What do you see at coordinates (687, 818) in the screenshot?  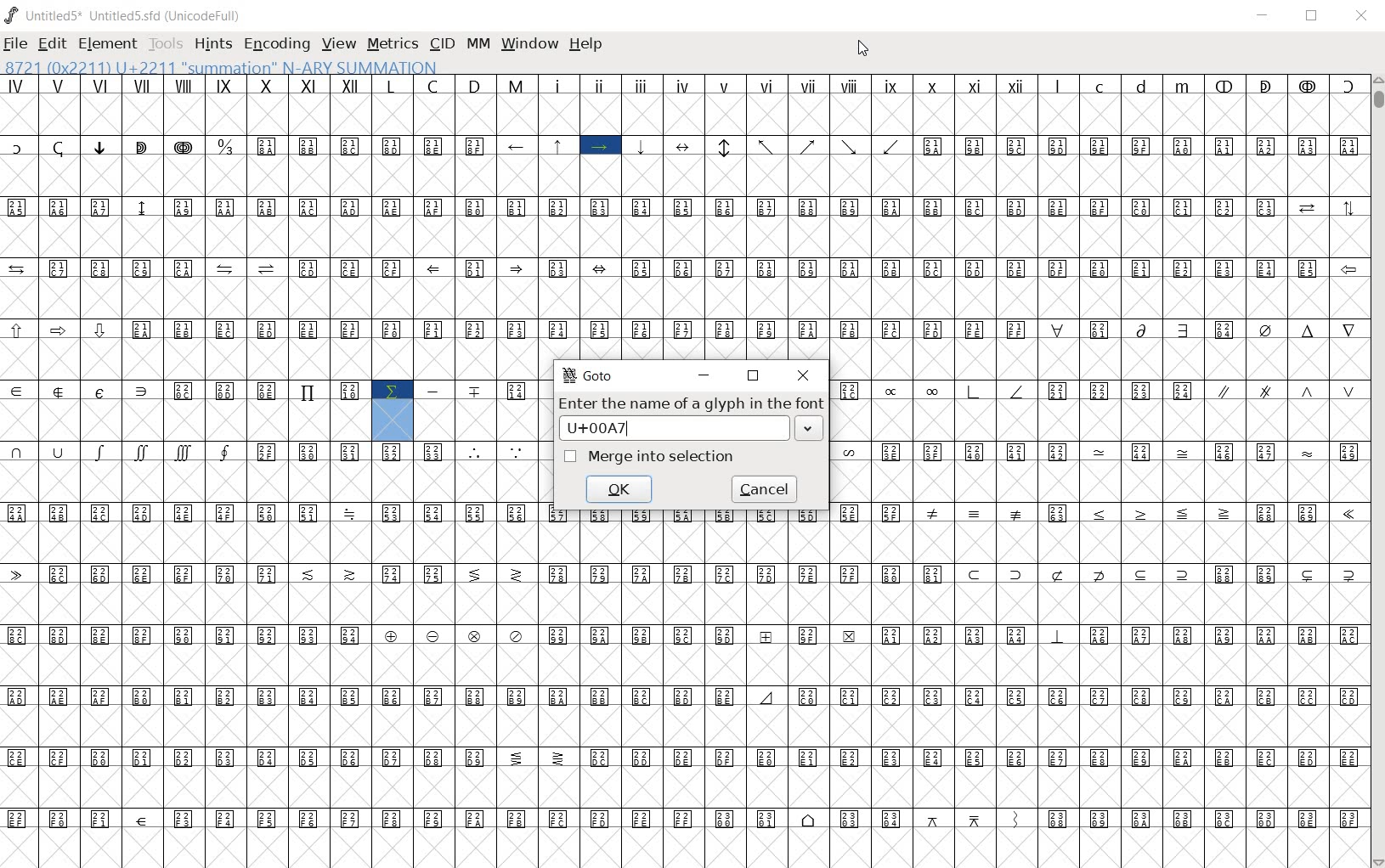 I see `special symbols` at bounding box center [687, 818].